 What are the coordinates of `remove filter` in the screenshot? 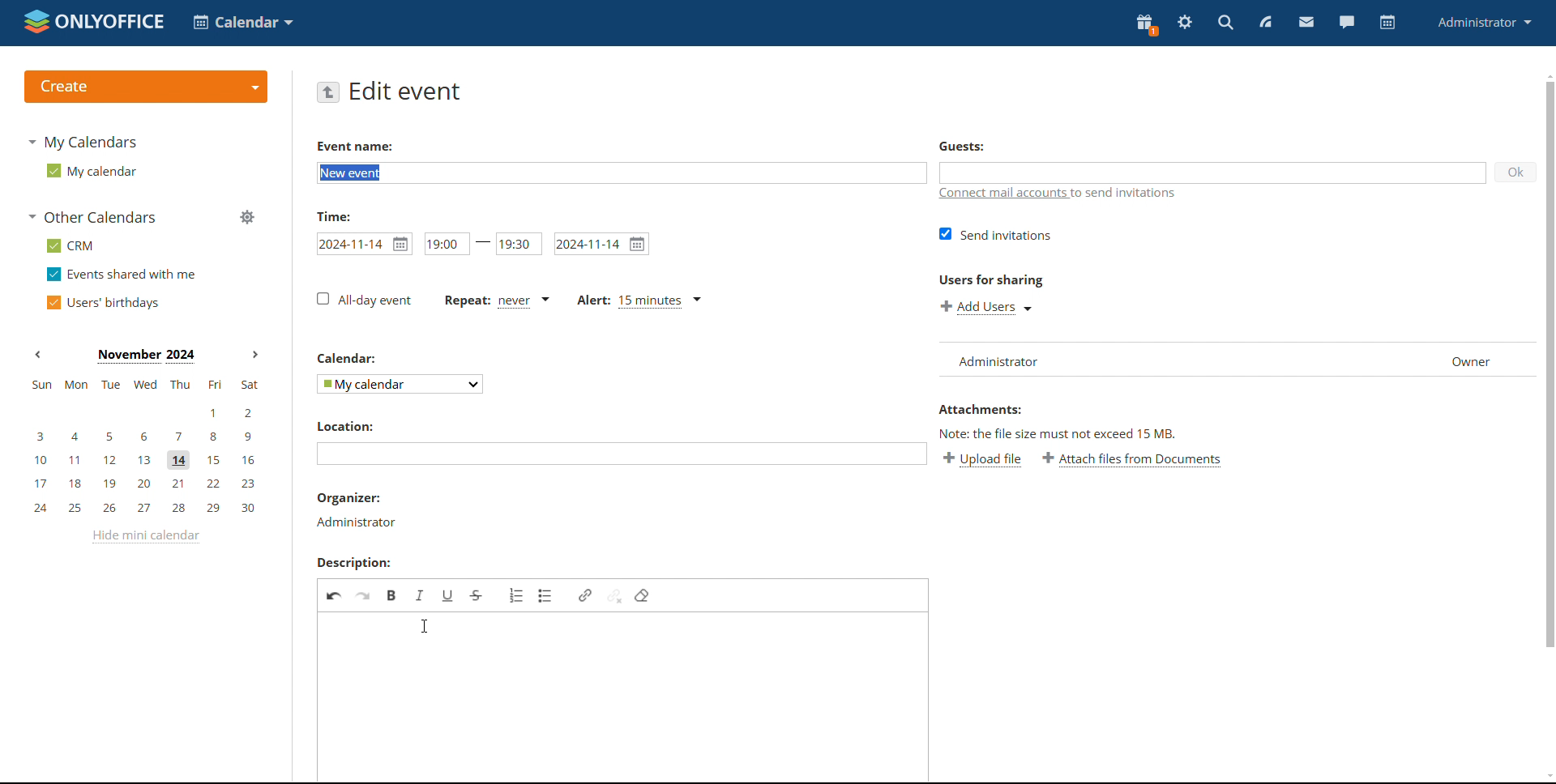 It's located at (644, 596).